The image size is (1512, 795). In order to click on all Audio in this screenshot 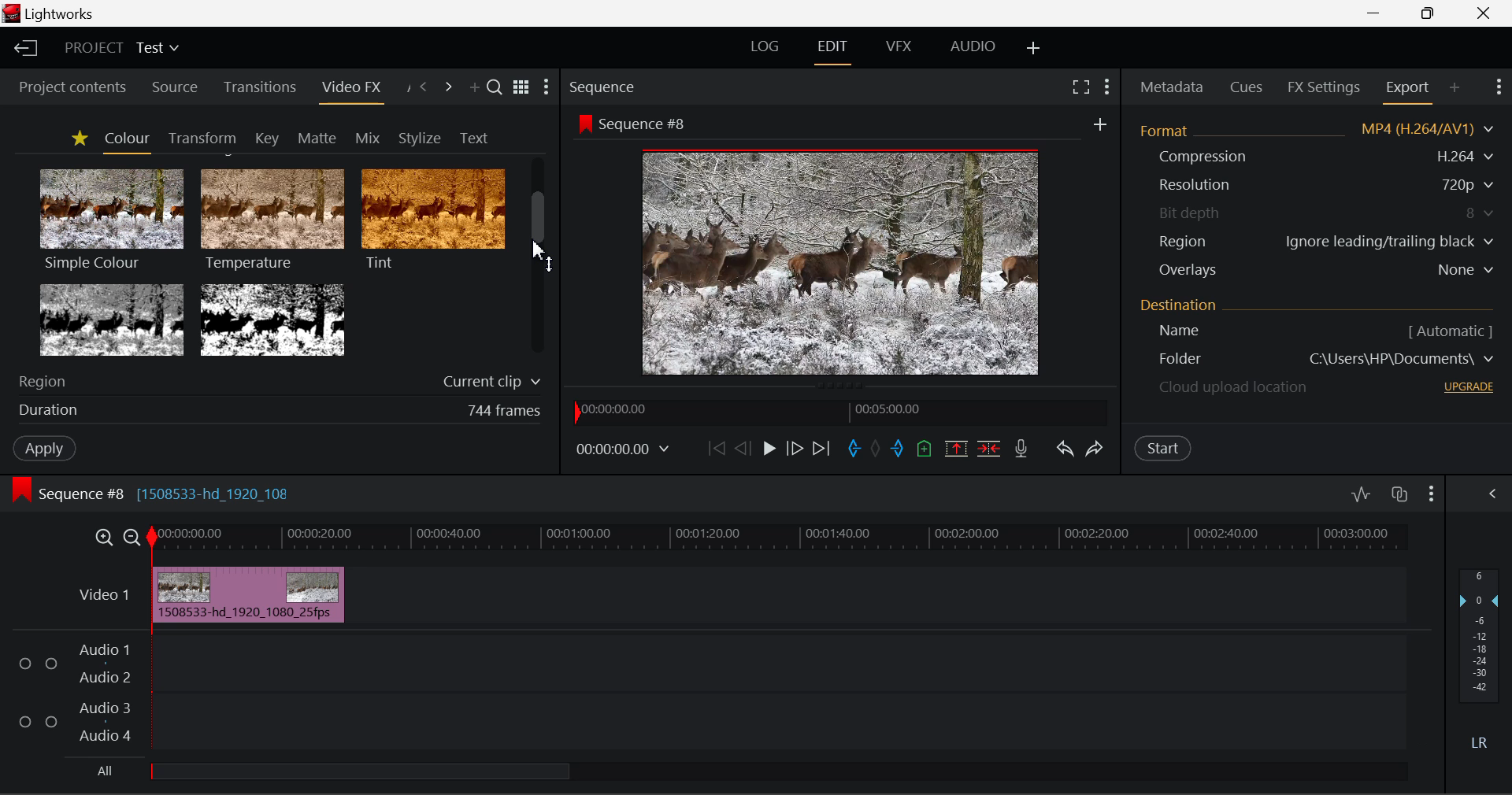, I will do `click(361, 770)`.